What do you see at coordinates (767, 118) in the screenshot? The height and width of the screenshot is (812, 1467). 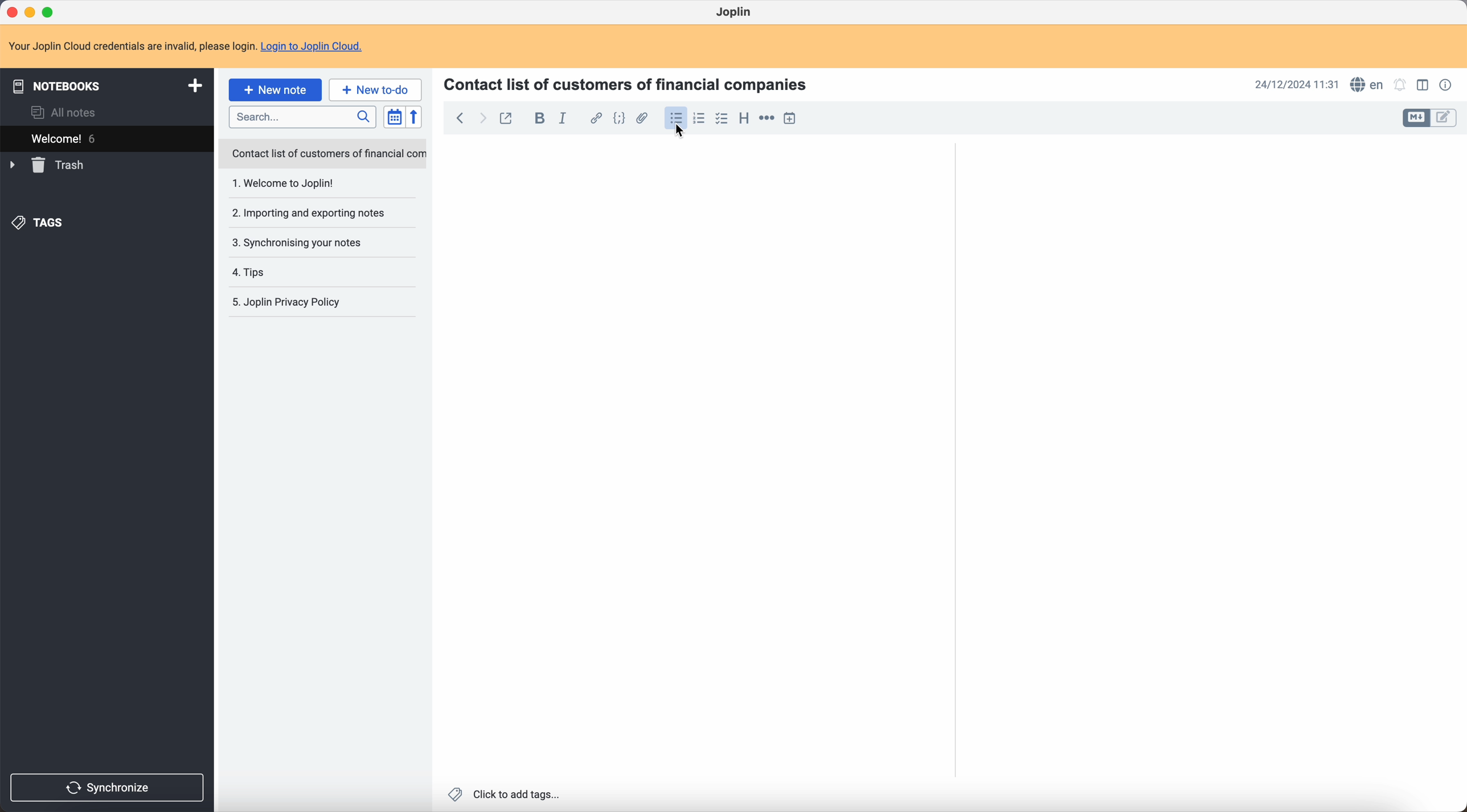 I see `horizontal rule` at bounding box center [767, 118].